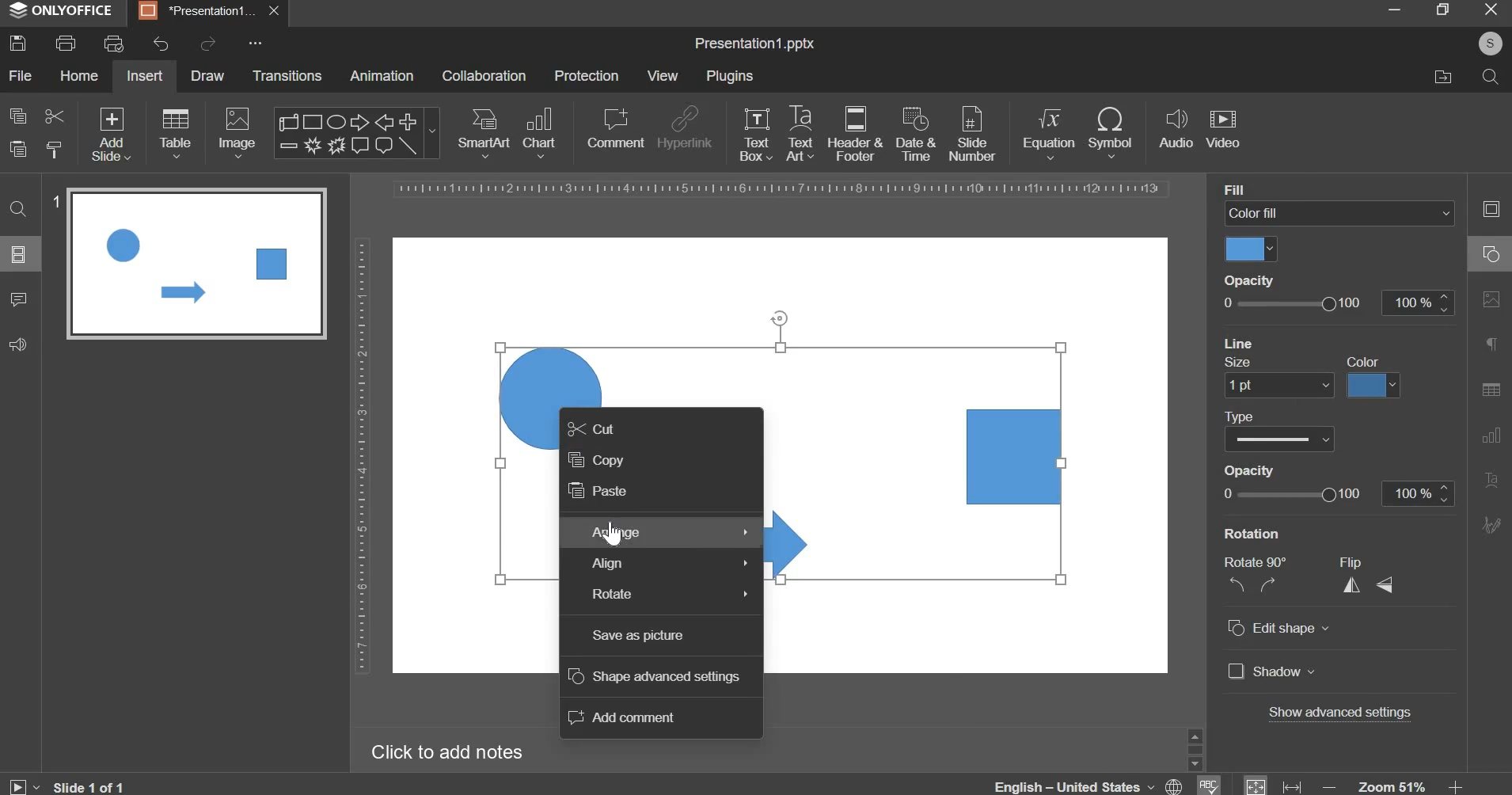 This screenshot has width=1512, height=795. Describe the element at coordinates (288, 75) in the screenshot. I see `transitions` at that location.